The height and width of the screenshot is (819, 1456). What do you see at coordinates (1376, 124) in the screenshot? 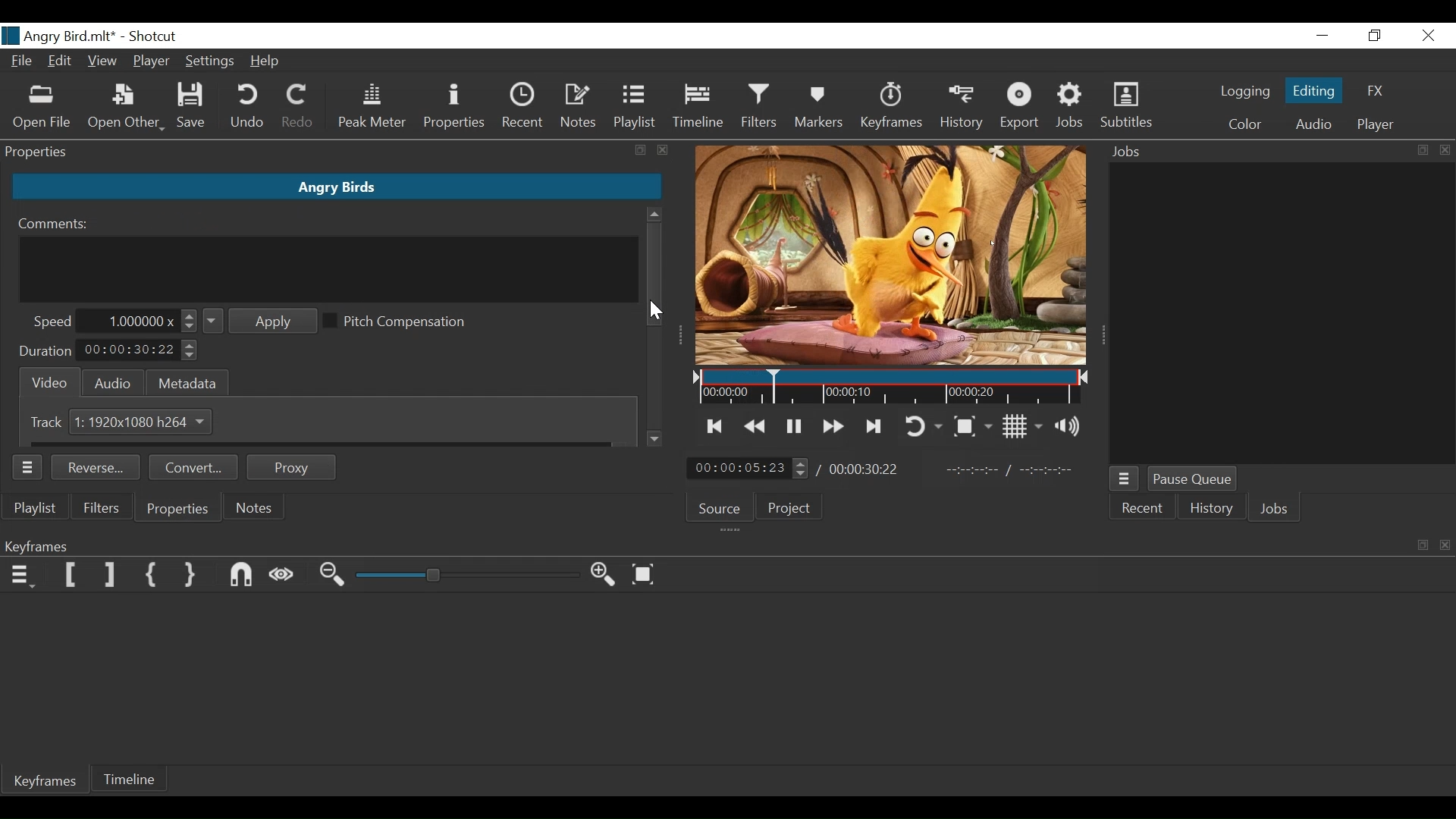
I see `Player` at bounding box center [1376, 124].